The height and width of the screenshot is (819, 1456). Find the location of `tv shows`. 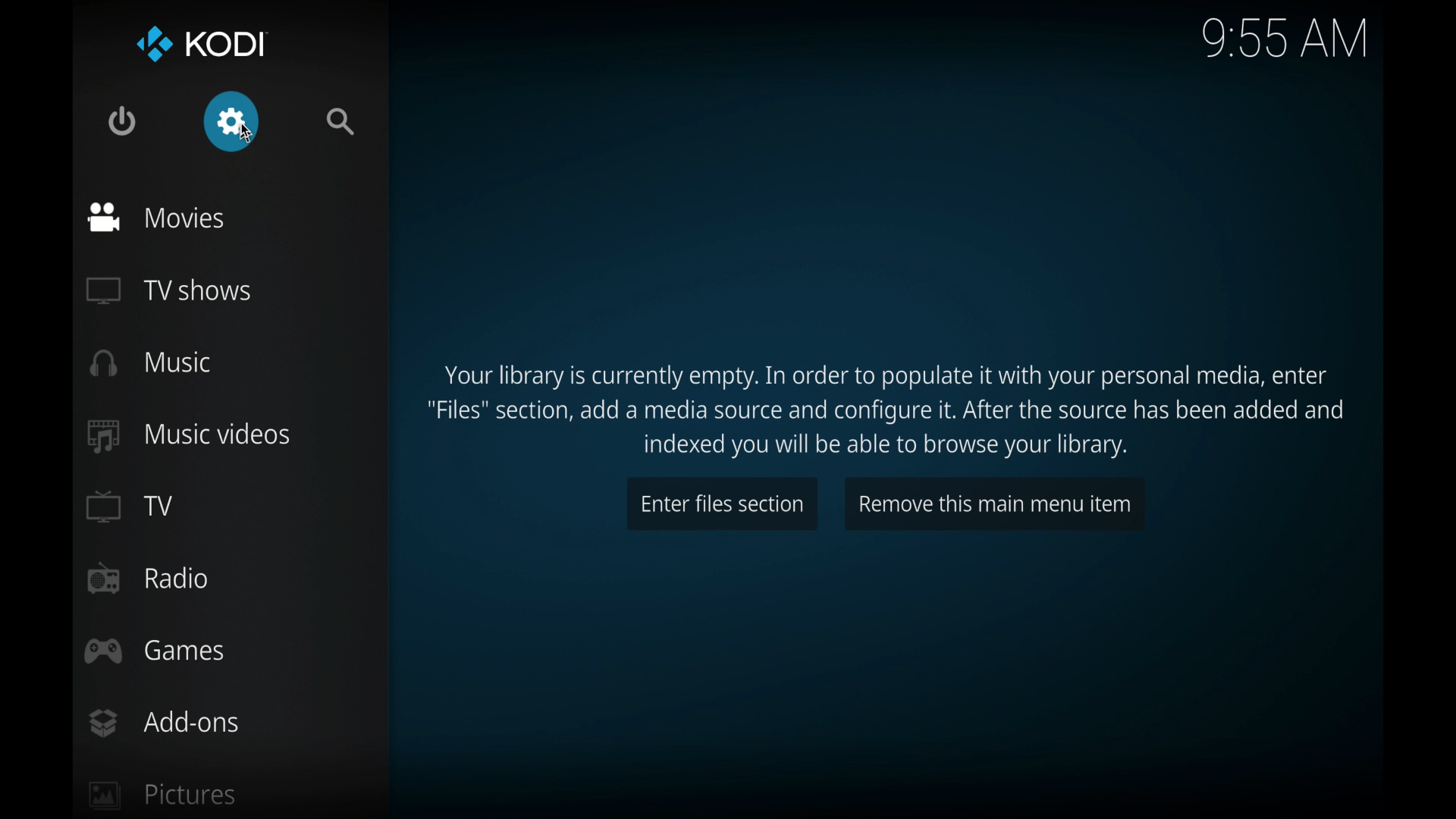

tv shows is located at coordinates (171, 291).